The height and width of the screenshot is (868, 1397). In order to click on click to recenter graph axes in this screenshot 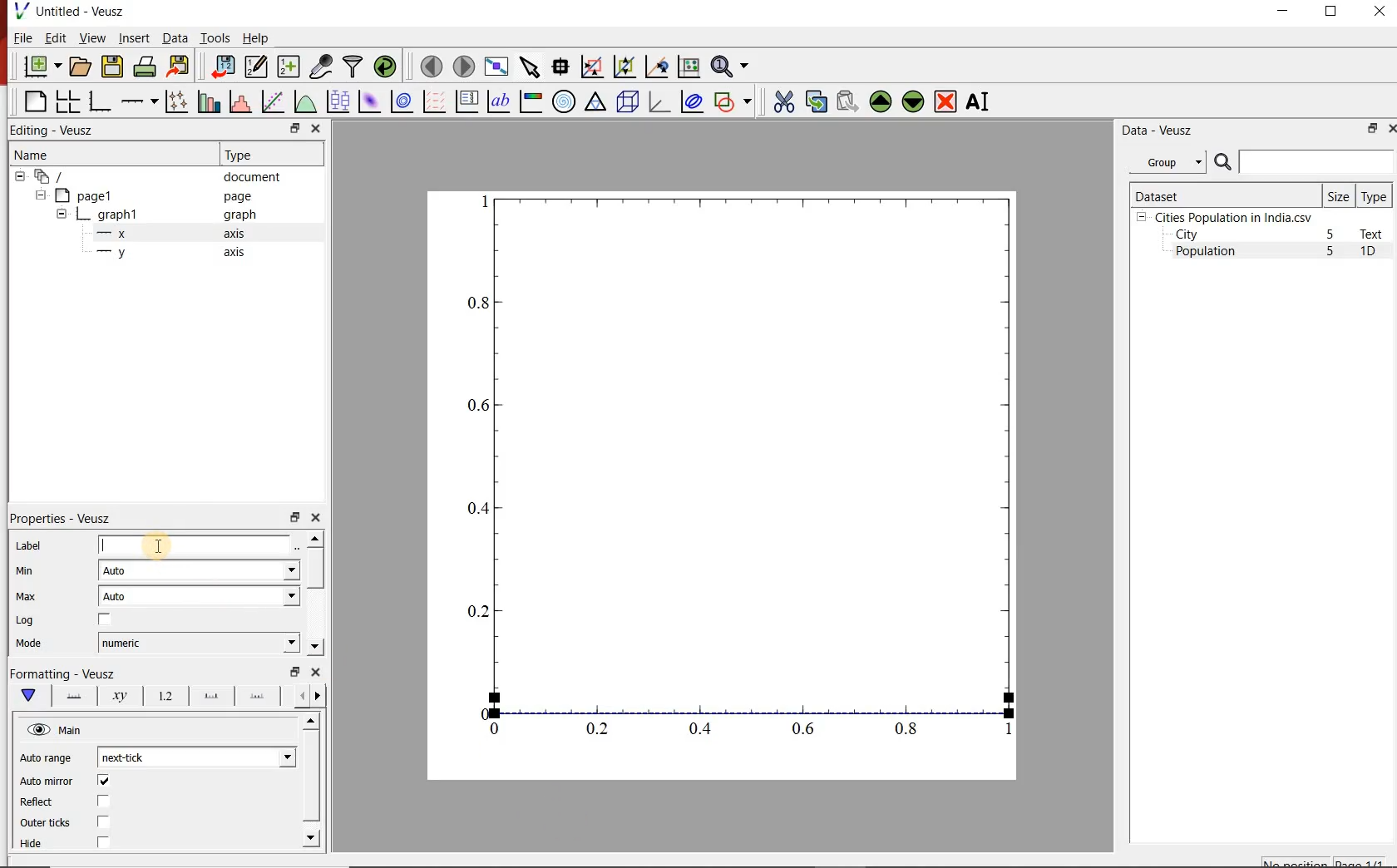, I will do `click(655, 67)`.